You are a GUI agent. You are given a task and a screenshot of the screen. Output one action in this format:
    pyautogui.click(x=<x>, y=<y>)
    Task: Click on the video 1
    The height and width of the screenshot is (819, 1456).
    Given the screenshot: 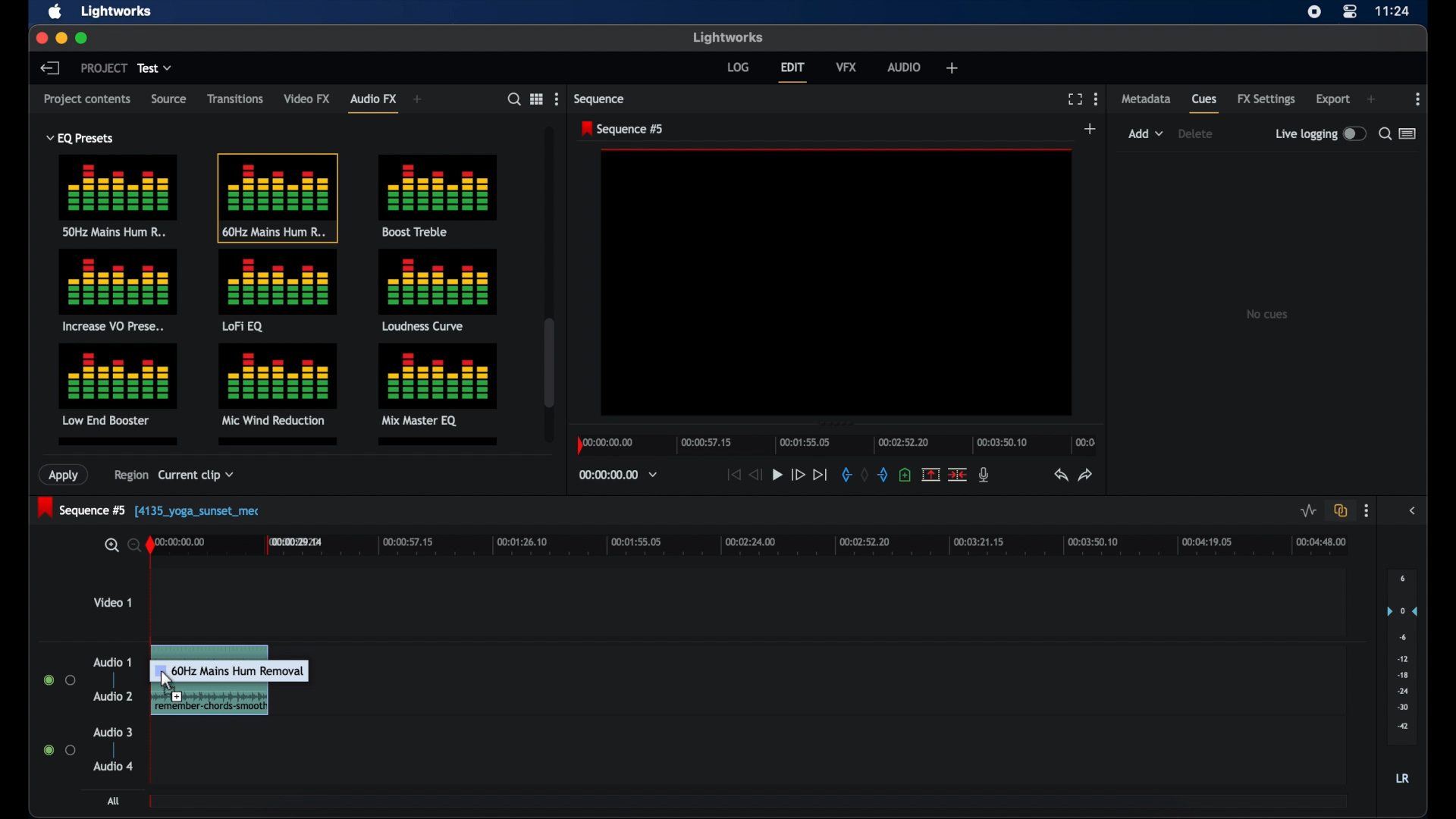 What is the action you would take?
    pyautogui.click(x=112, y=602)
    